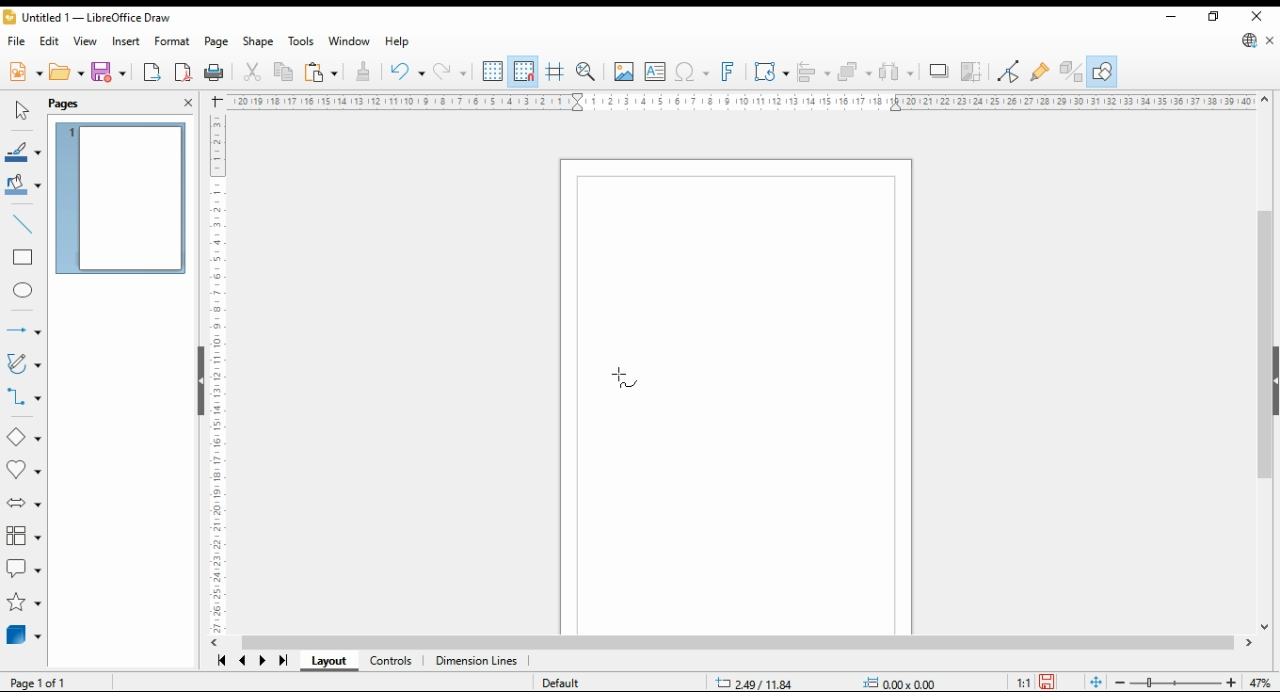 The image size is (1280, 692). Describe the element at coordinates (15, 41) in the screenshot. I see `file` at that location.